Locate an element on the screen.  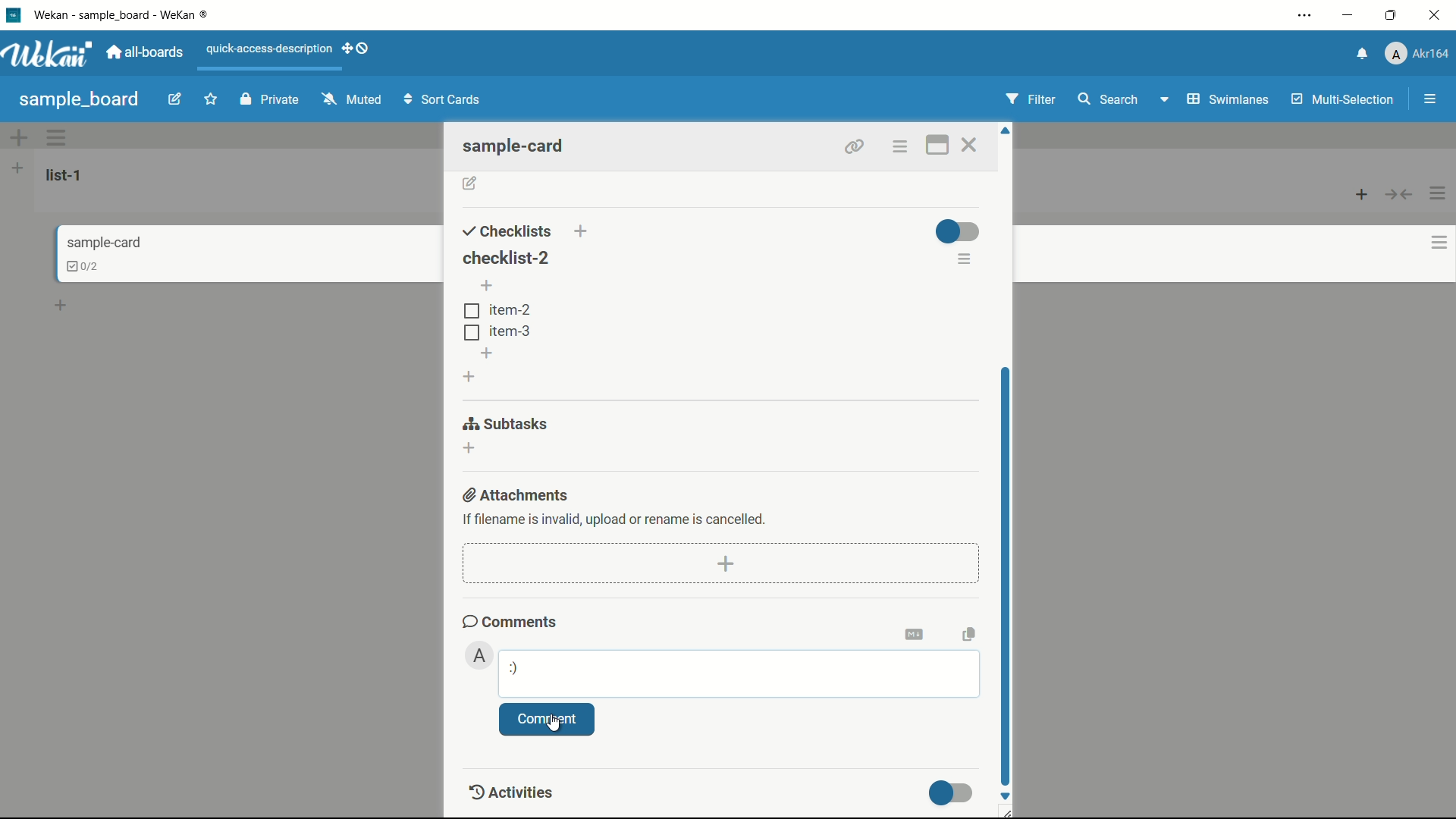
all boards is located at coordinates (149, 52).